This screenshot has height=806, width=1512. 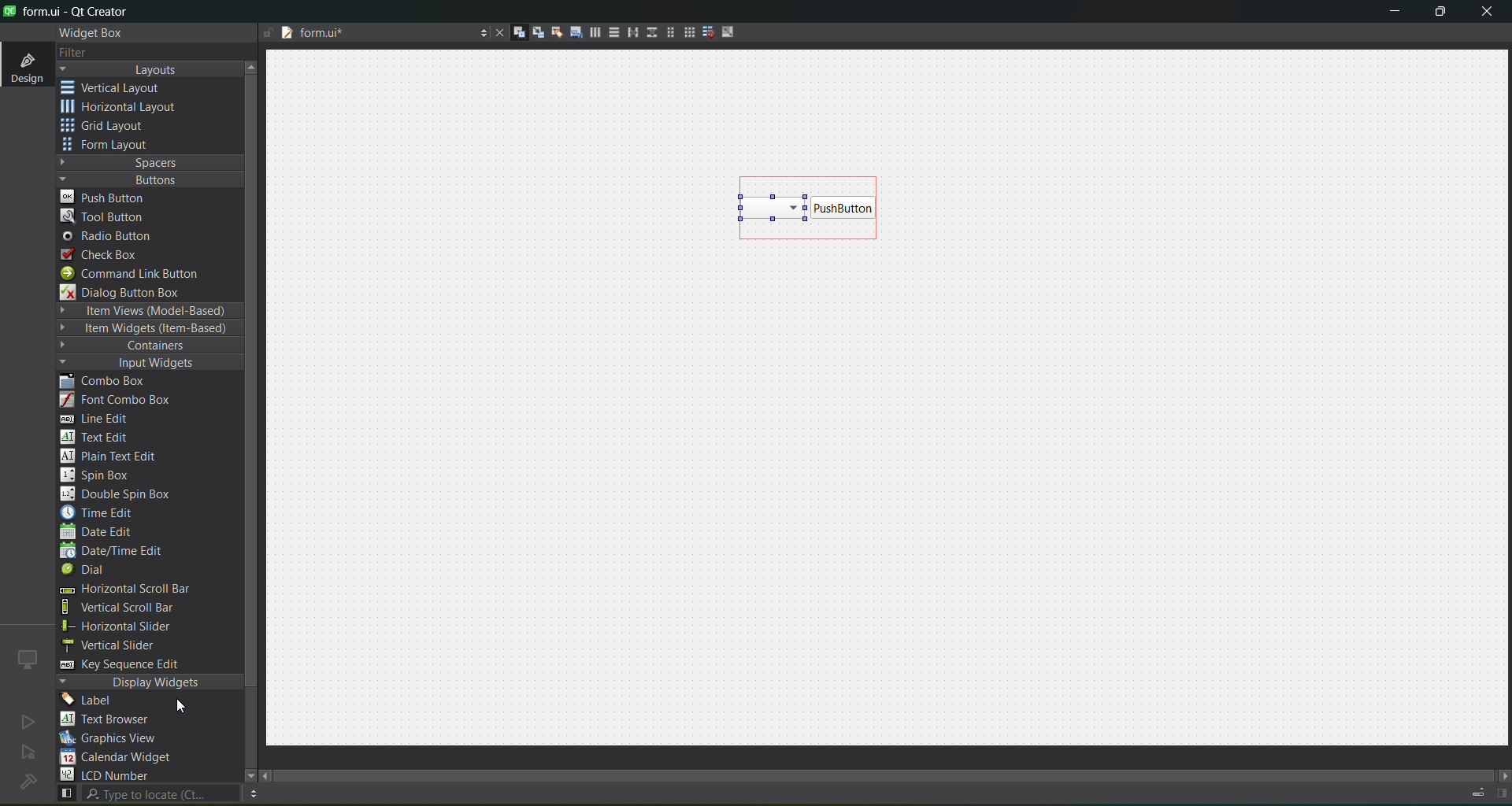 I want to click on maximize, so click(x=1441, y=14).